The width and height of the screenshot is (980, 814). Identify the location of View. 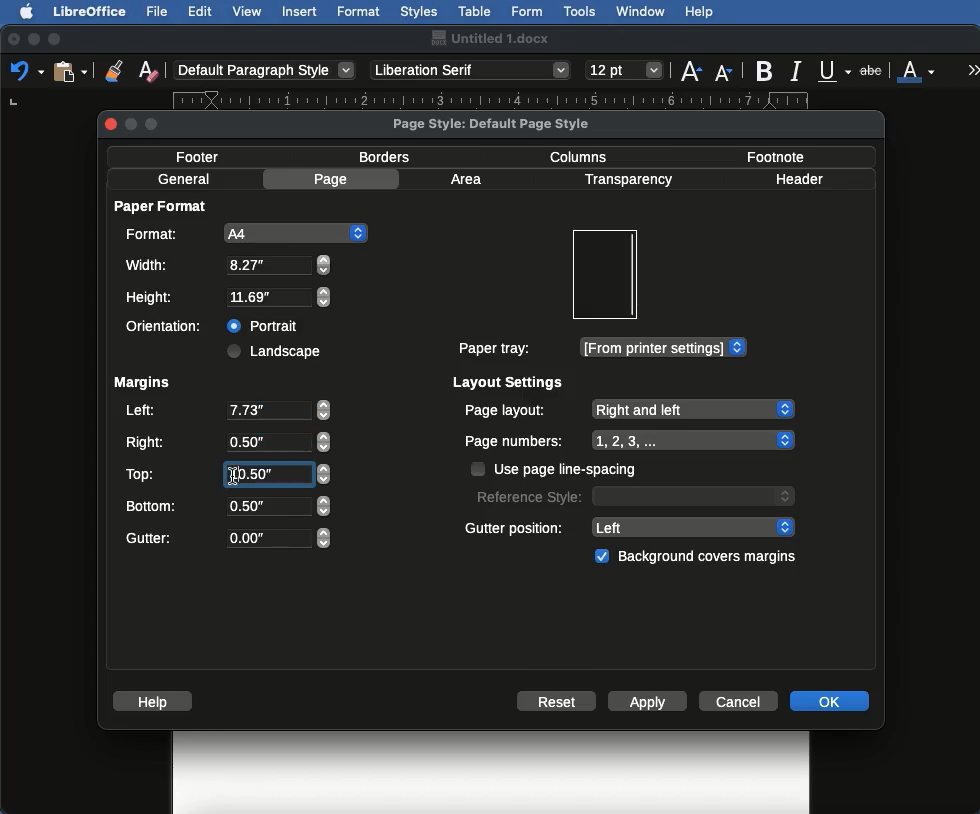
(248, 11).